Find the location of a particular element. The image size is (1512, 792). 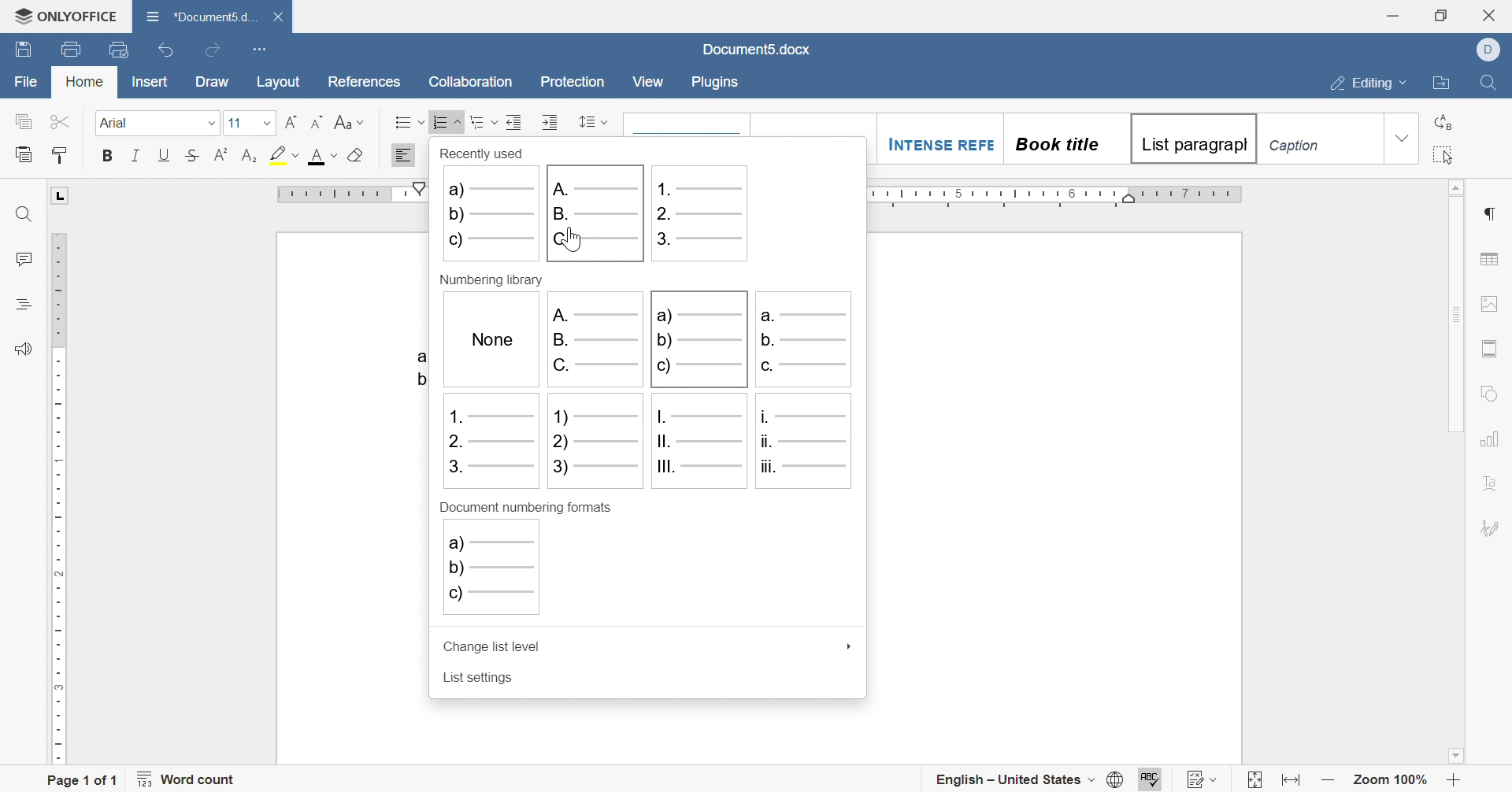

onlyoffice is located at coordinates (66, 17).